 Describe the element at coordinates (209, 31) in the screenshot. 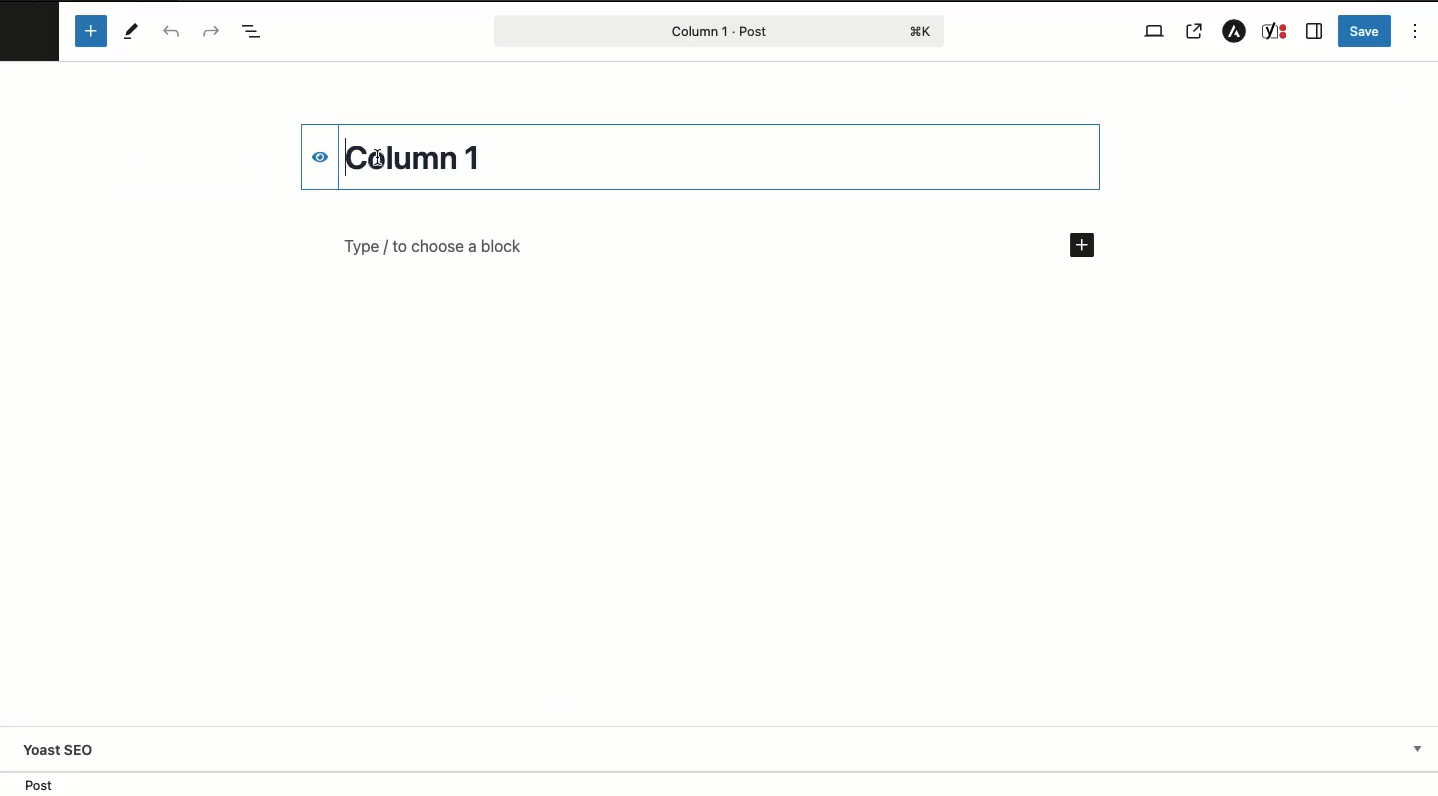

I see `Redo` at that location.